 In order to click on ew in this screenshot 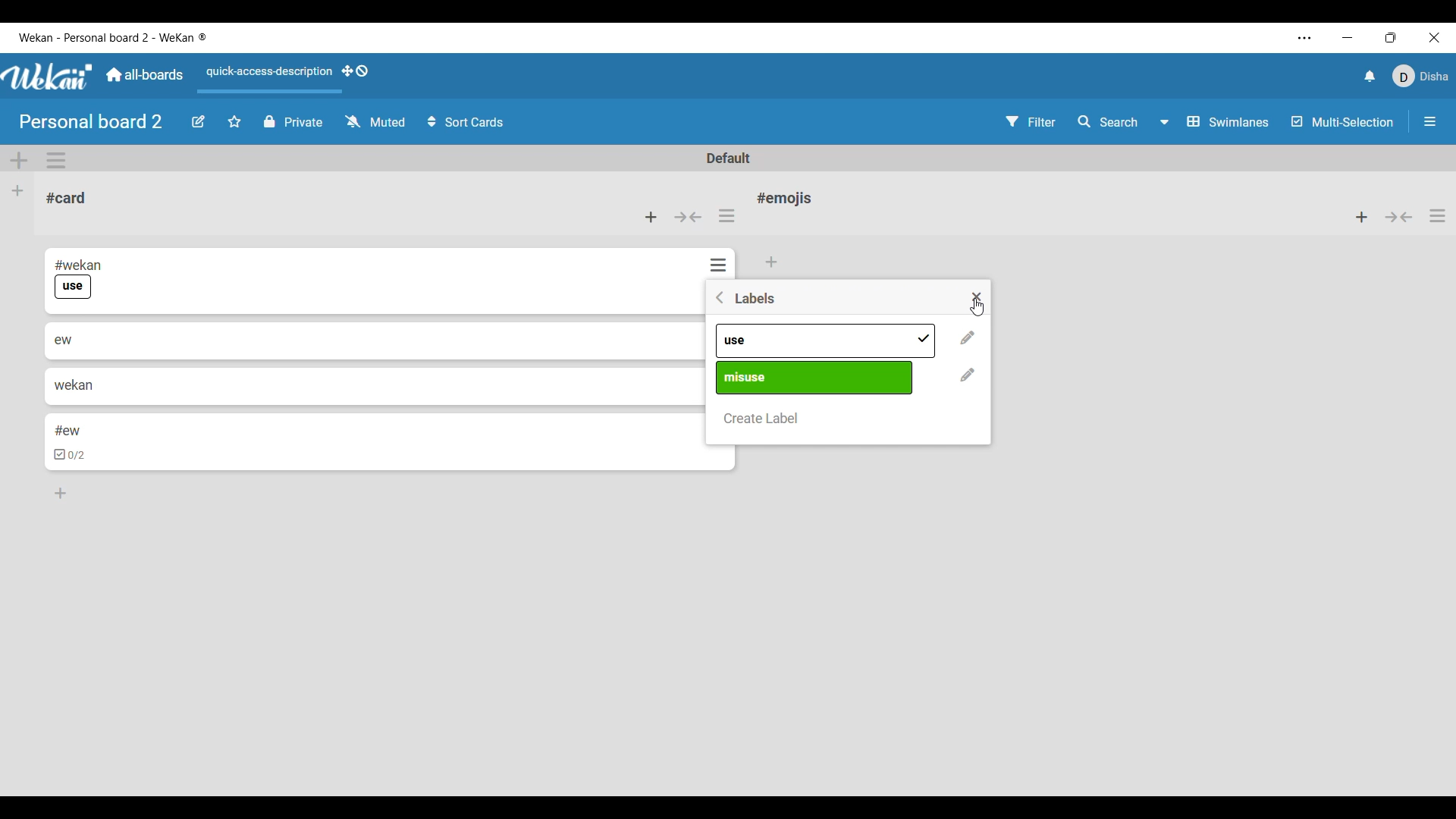, I will do `click(64, 339)`.